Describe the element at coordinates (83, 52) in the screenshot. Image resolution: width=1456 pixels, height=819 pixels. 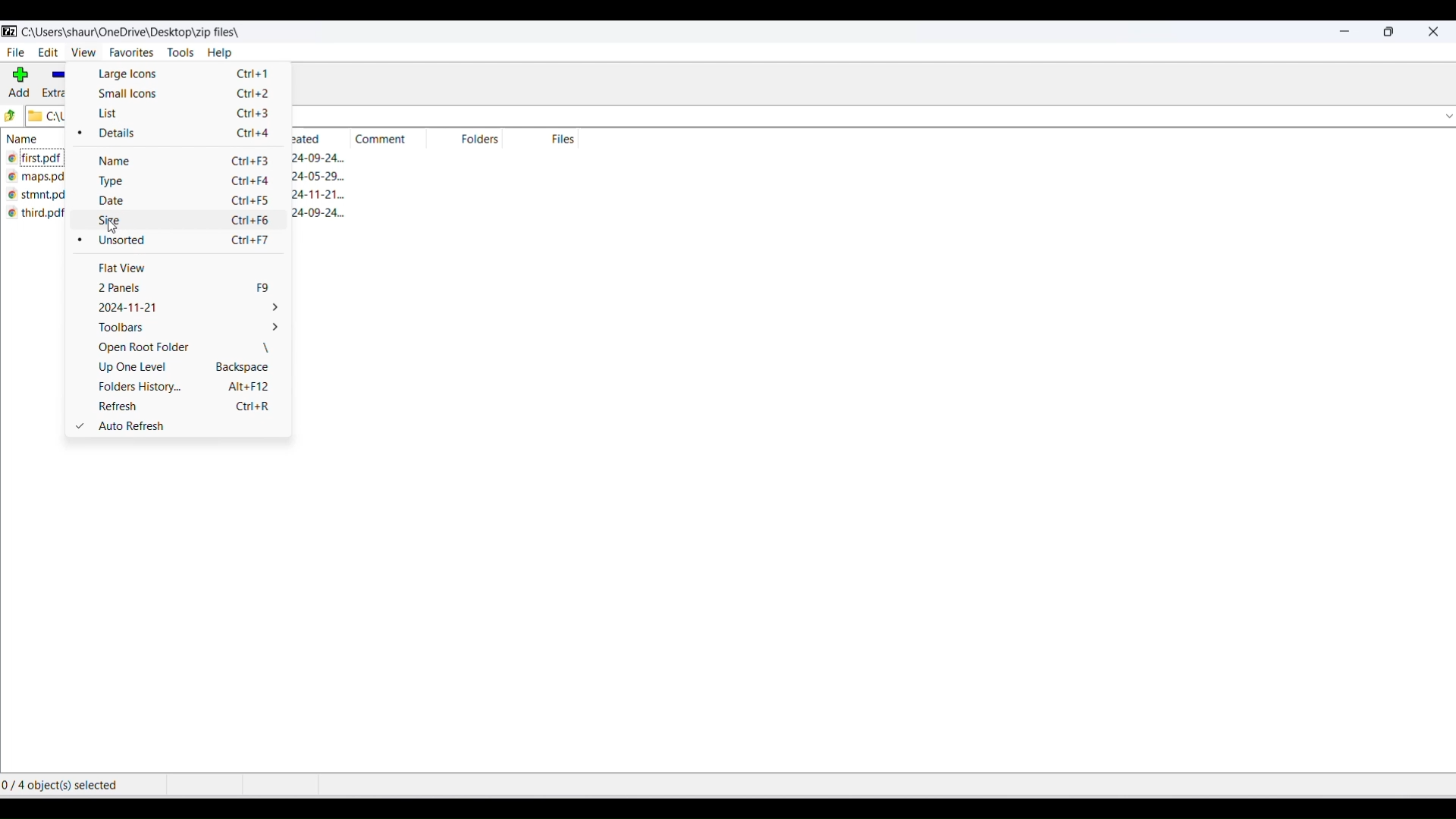
I see `view` at that location.